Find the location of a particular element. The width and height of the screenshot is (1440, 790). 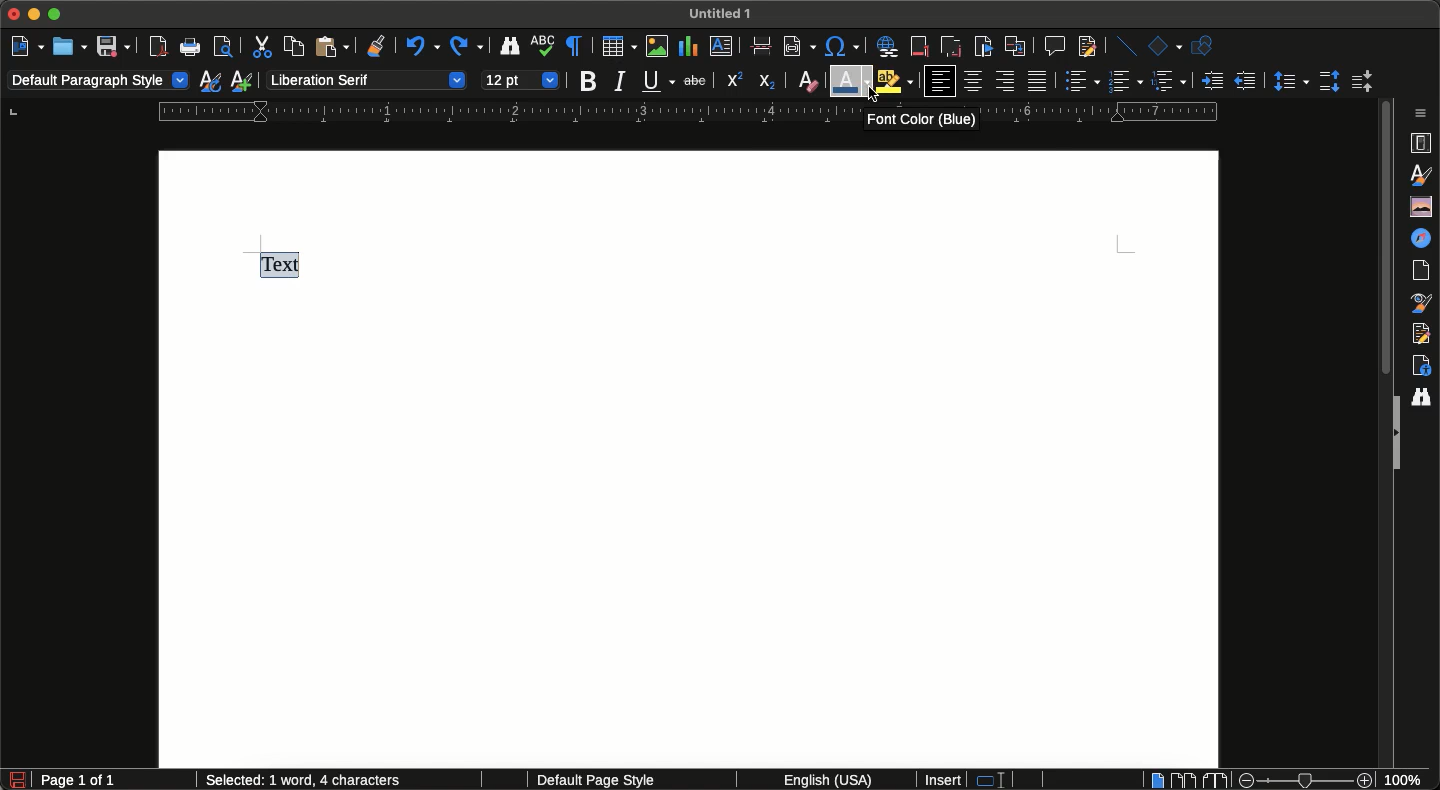

Styles is located at coordinates (1423, 175).